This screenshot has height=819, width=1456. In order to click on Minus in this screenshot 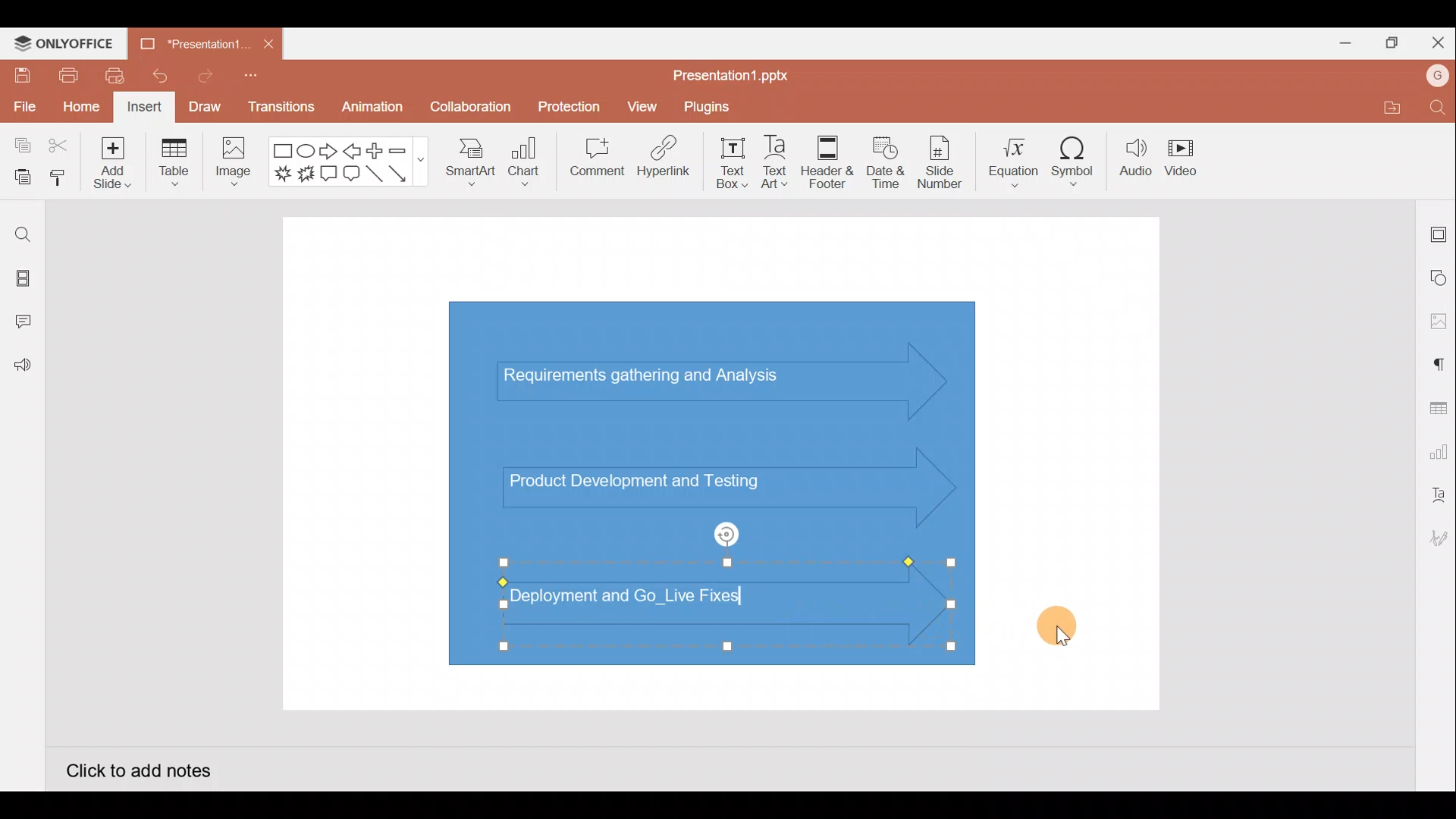, I will do `click(406, 149)`.